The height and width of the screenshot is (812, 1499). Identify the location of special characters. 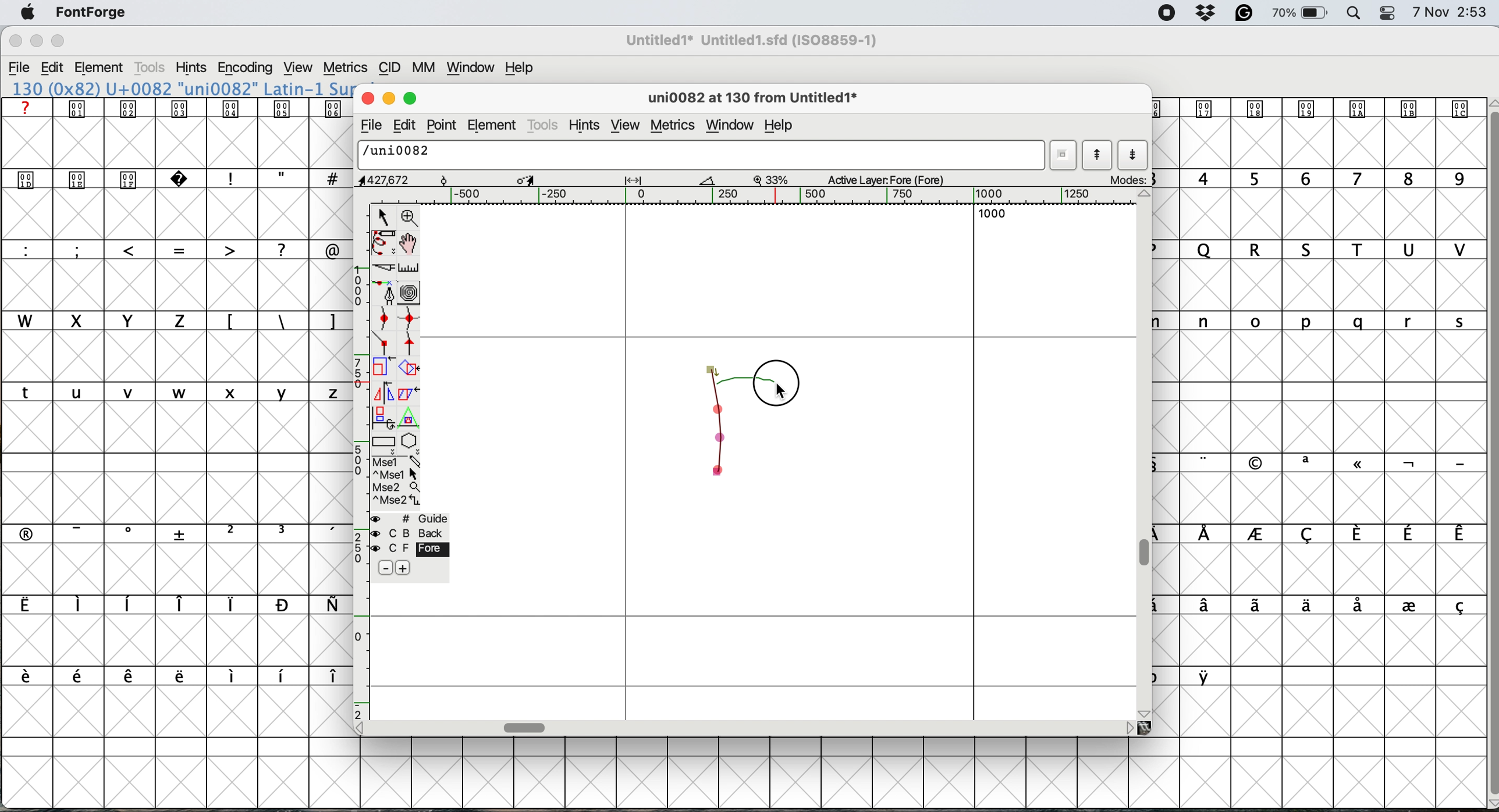
(279, 178).